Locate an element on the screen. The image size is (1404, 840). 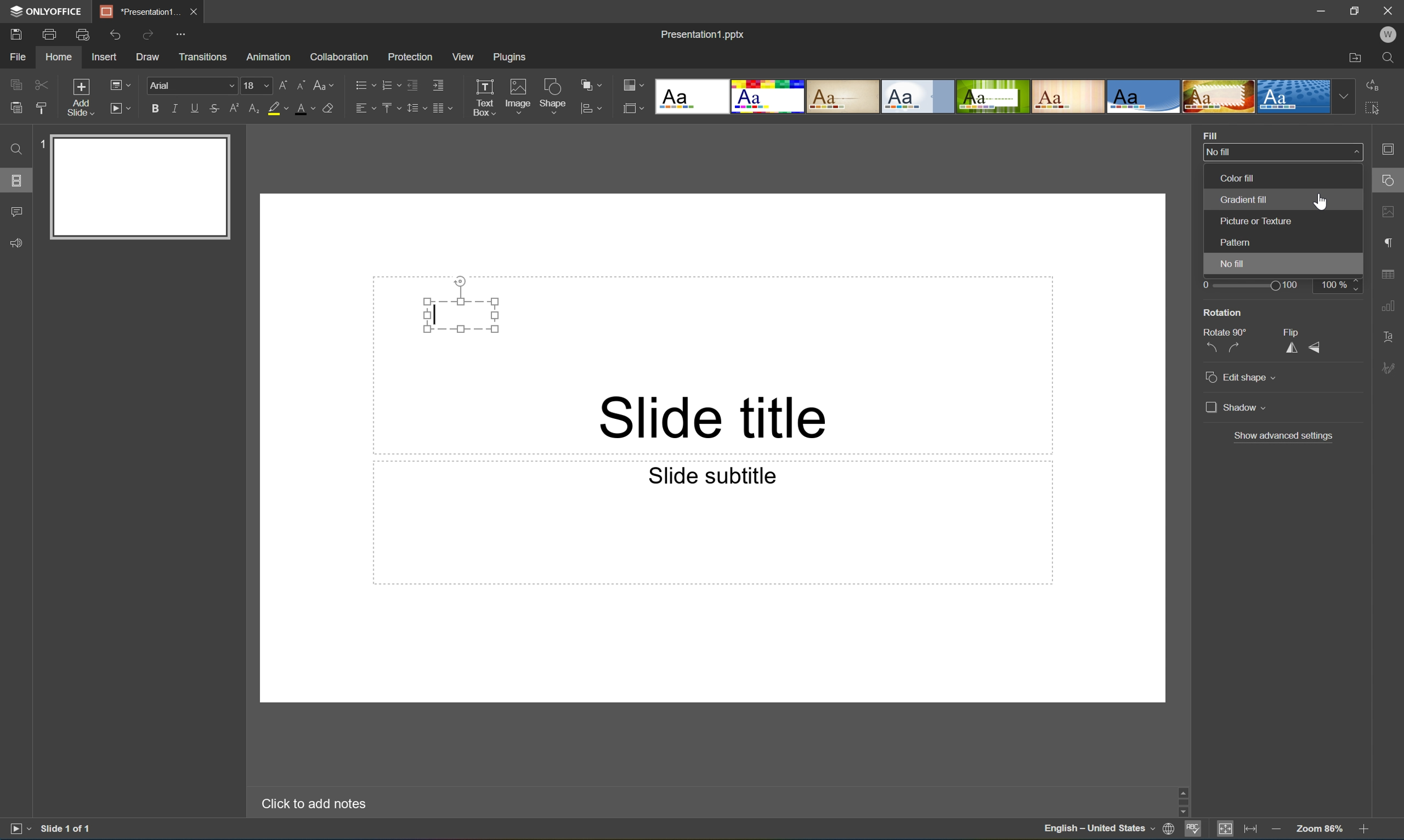
Gradient fill is located at coordinates (1244, 200).